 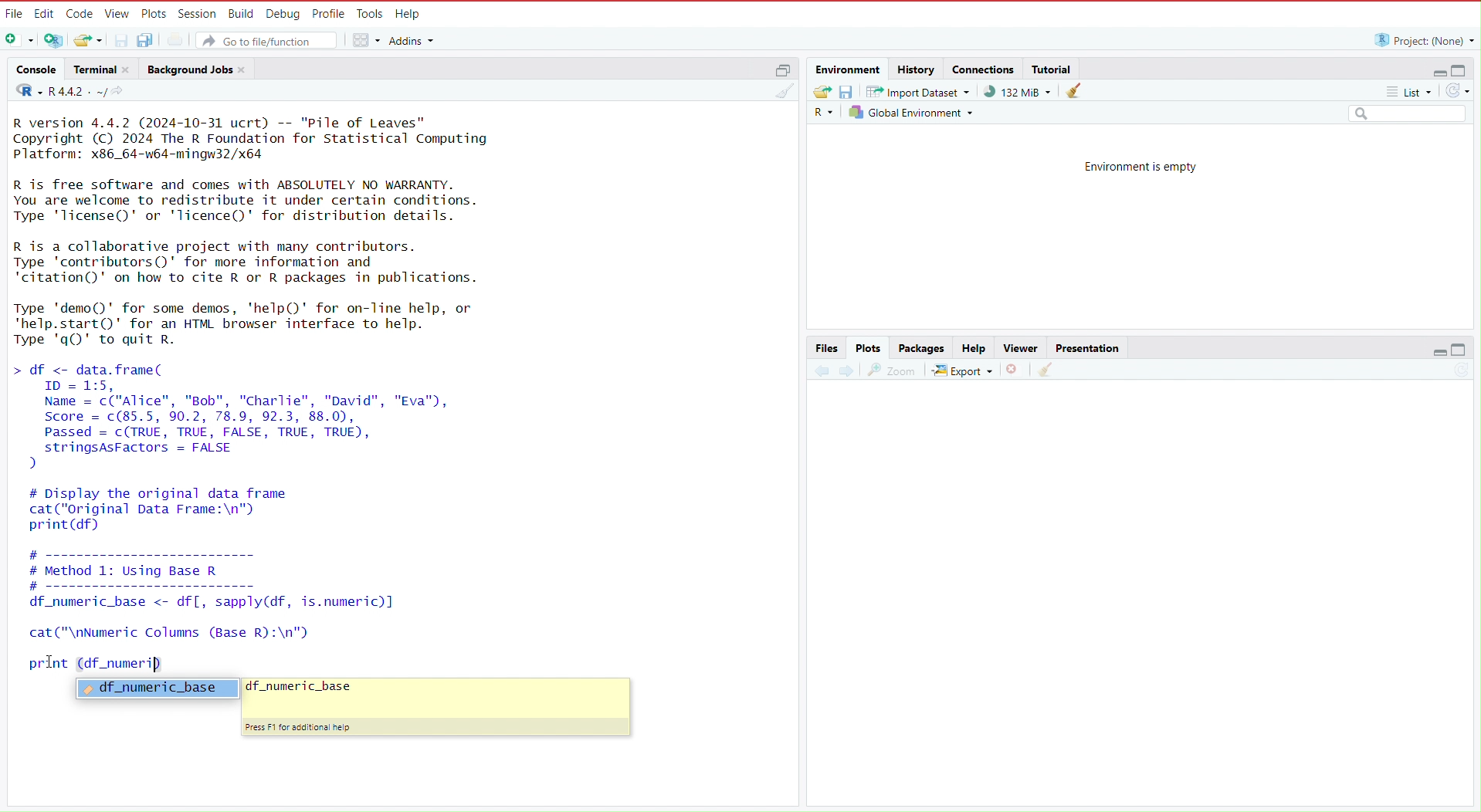 What do you see at coordinates (247, 69) in the screenshot?
I see `close` at bounding box center [247, 69].